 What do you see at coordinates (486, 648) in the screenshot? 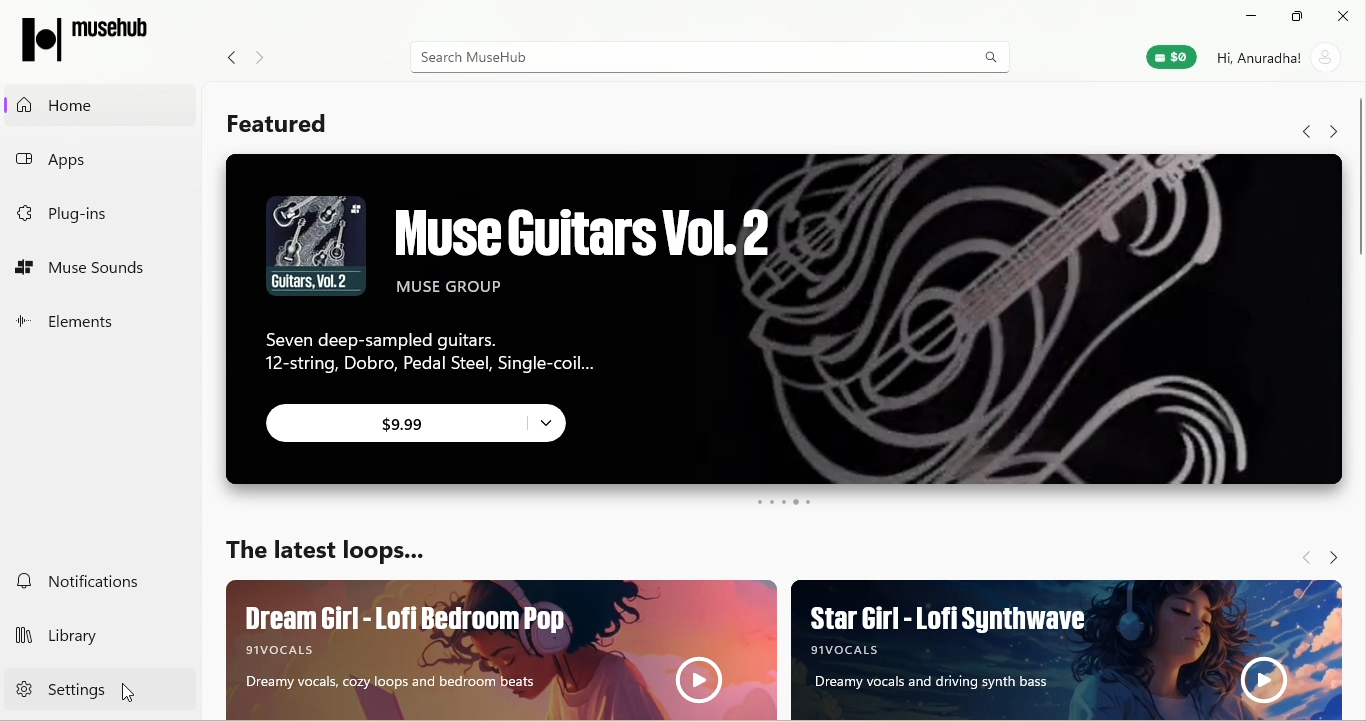
I see `Dream girl-Lofi Bedroom loop` at bounding box center [486, 648].